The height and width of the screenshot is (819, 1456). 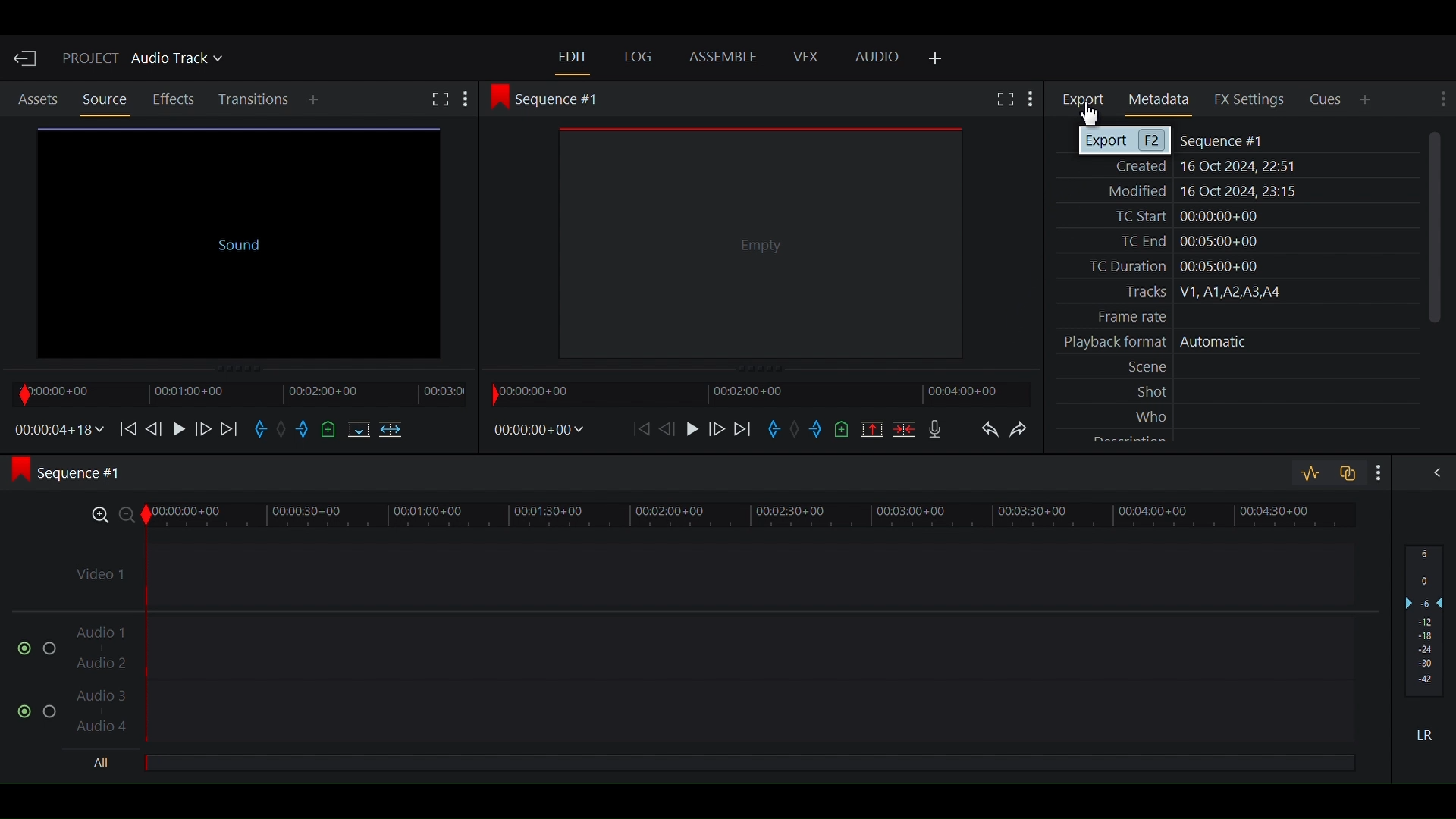 What do you see at coordinates (903, 428) in the screenshot?
I see `Delete/Cut` at bounding box center [903, 428].